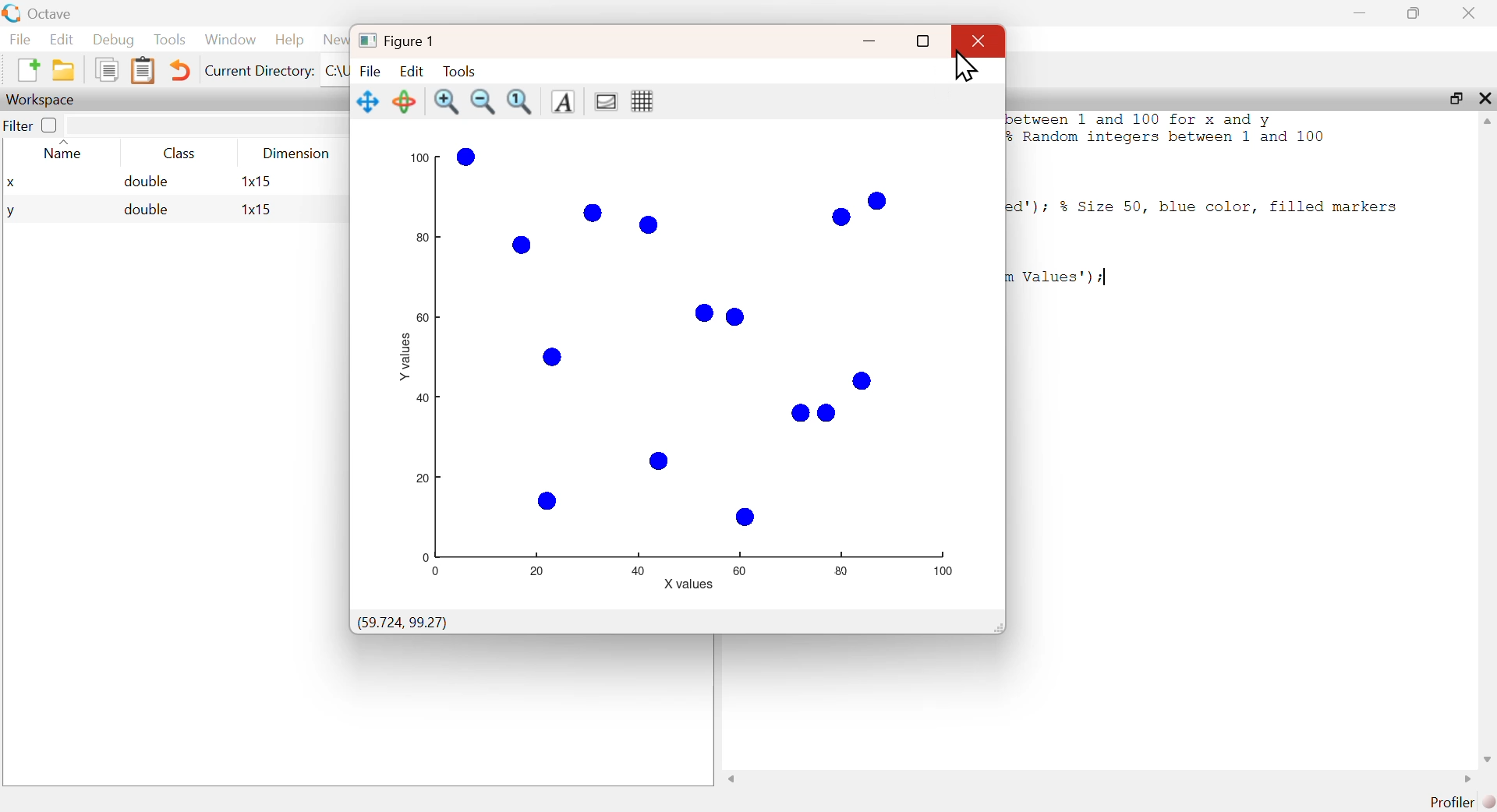 The width and height of the screenshot is (1497, 812). I want to click on Zoom out, so click(482, 101).